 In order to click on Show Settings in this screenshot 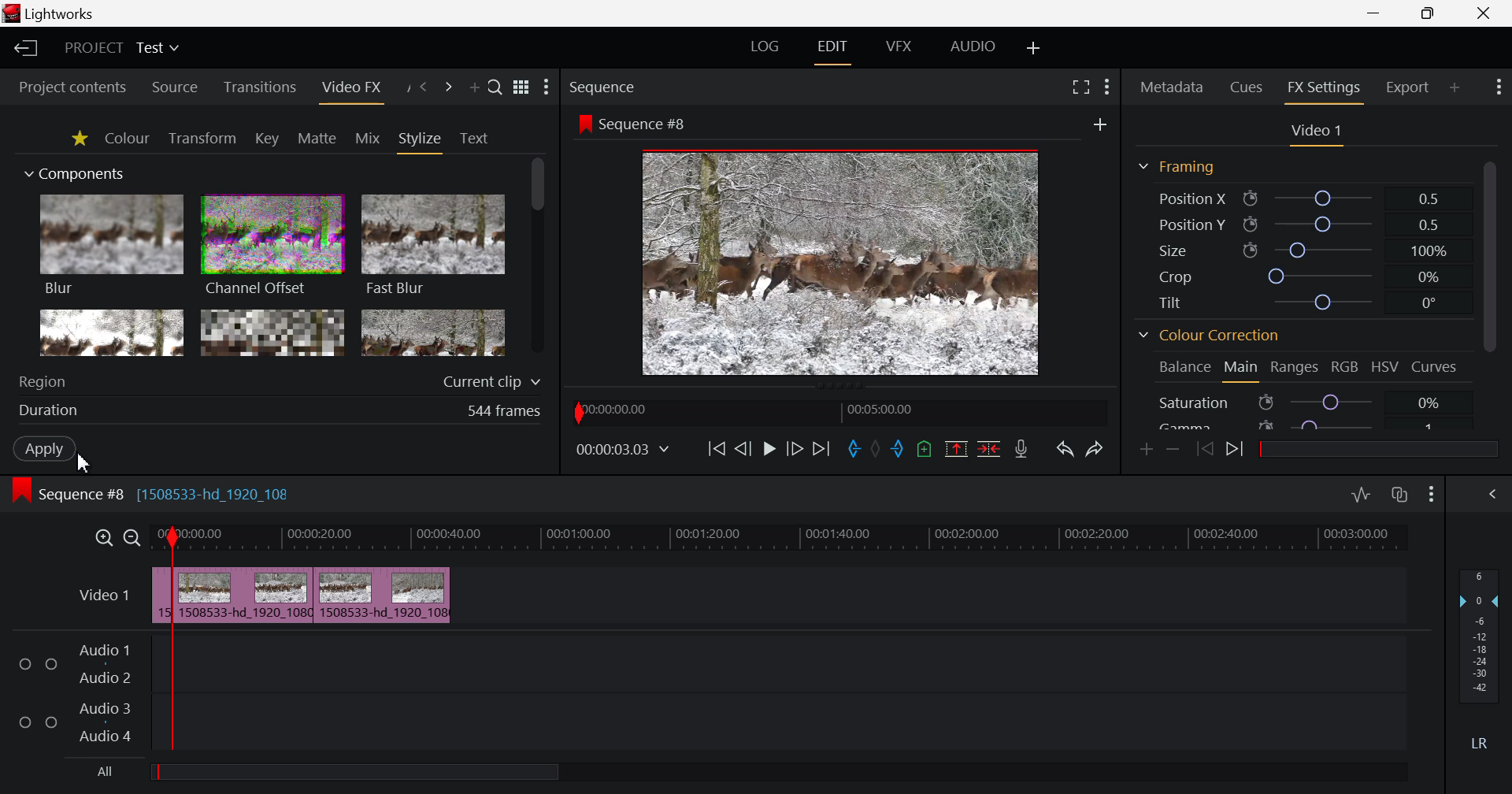, I will do `click(547, 87)`.